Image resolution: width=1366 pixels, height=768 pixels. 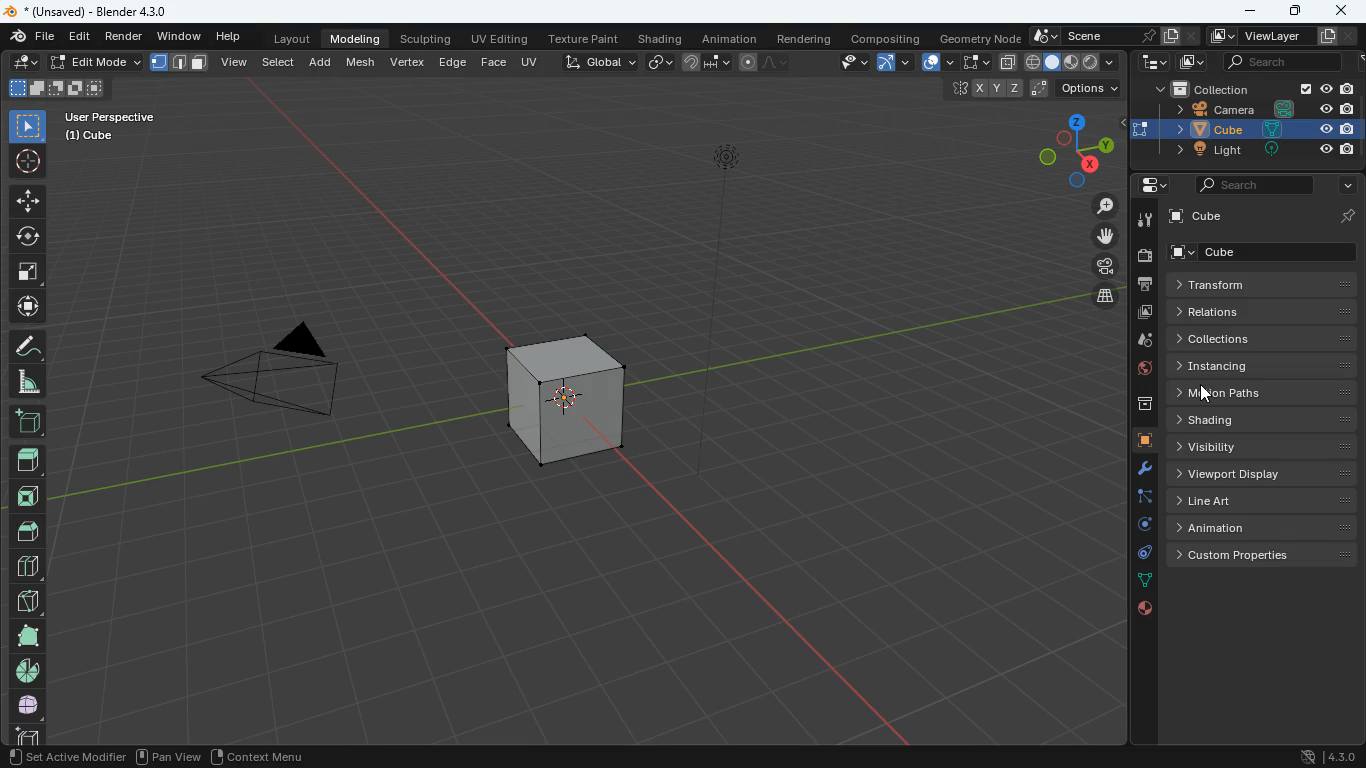 I want to click on cube, so click(x=1260, y=128).